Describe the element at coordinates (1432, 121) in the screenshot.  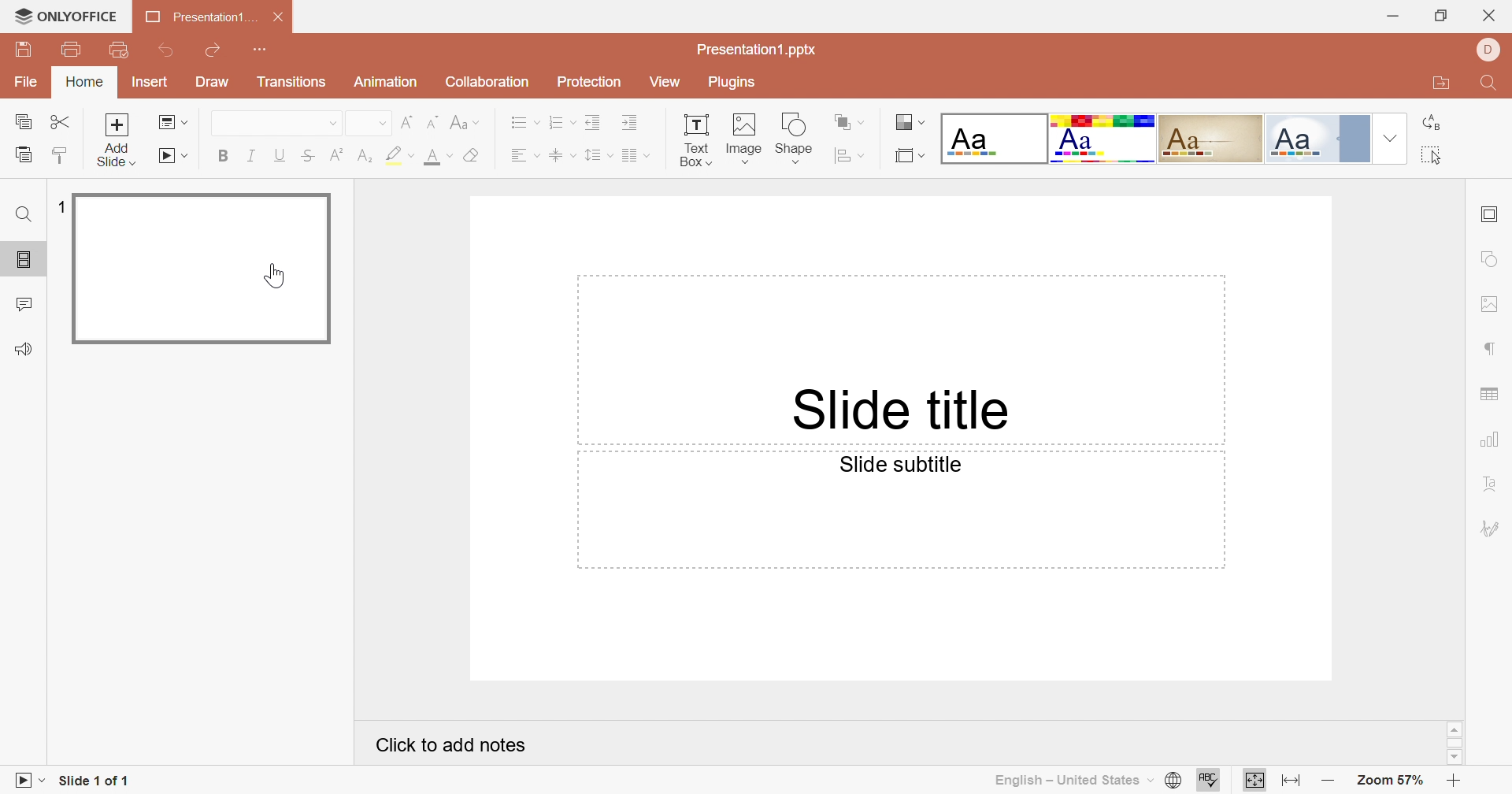
I see `Replace` at that location.